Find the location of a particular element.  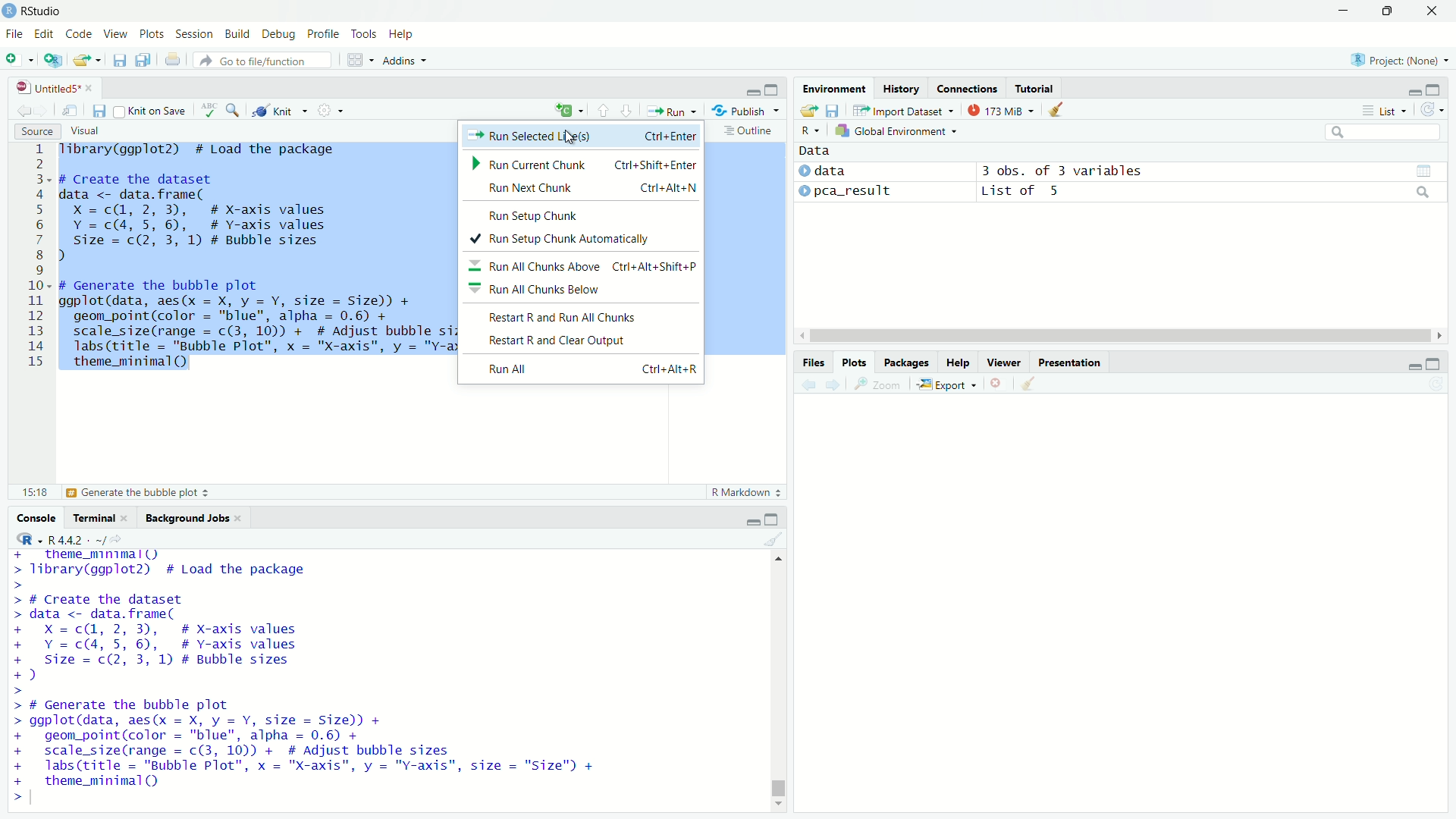

maximize is located at coordinates (775, 88).